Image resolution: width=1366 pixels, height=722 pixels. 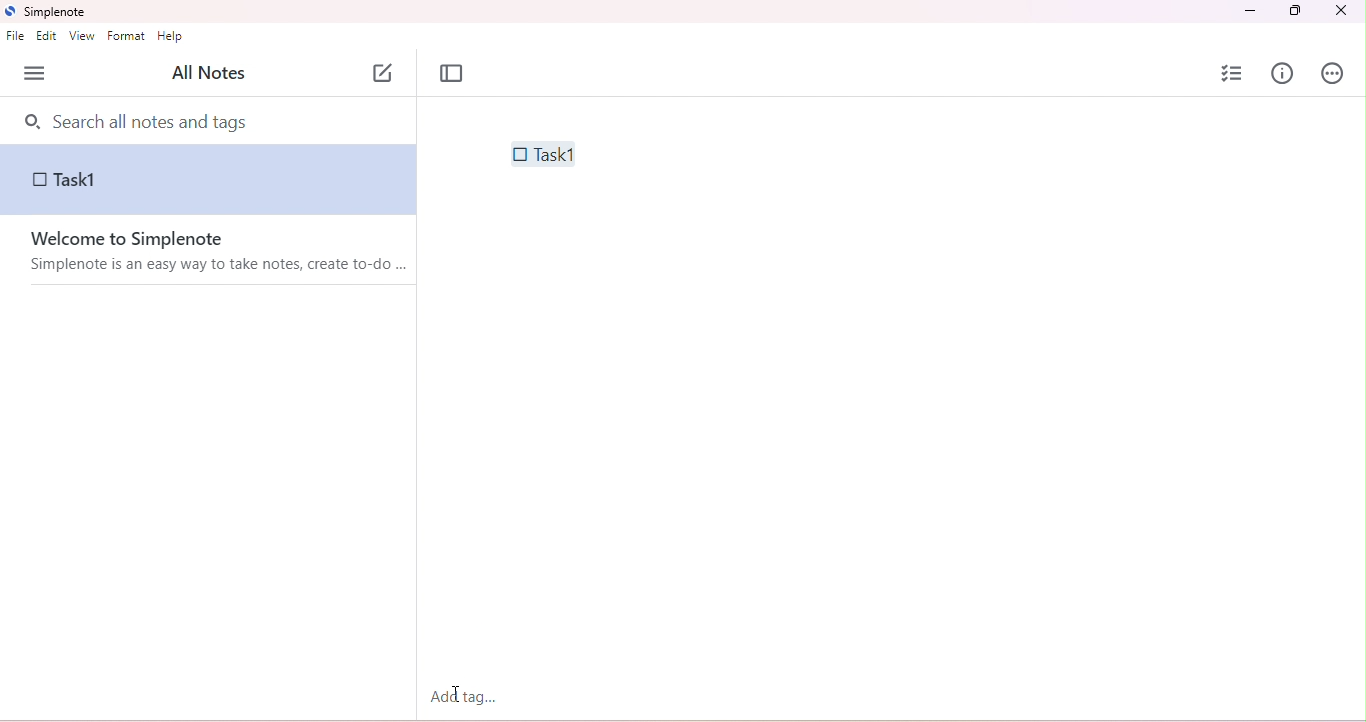 What do you see at coordinates (459, 695) in the screenshot?
I see `cursor movement` at bounding box center [459, 695].